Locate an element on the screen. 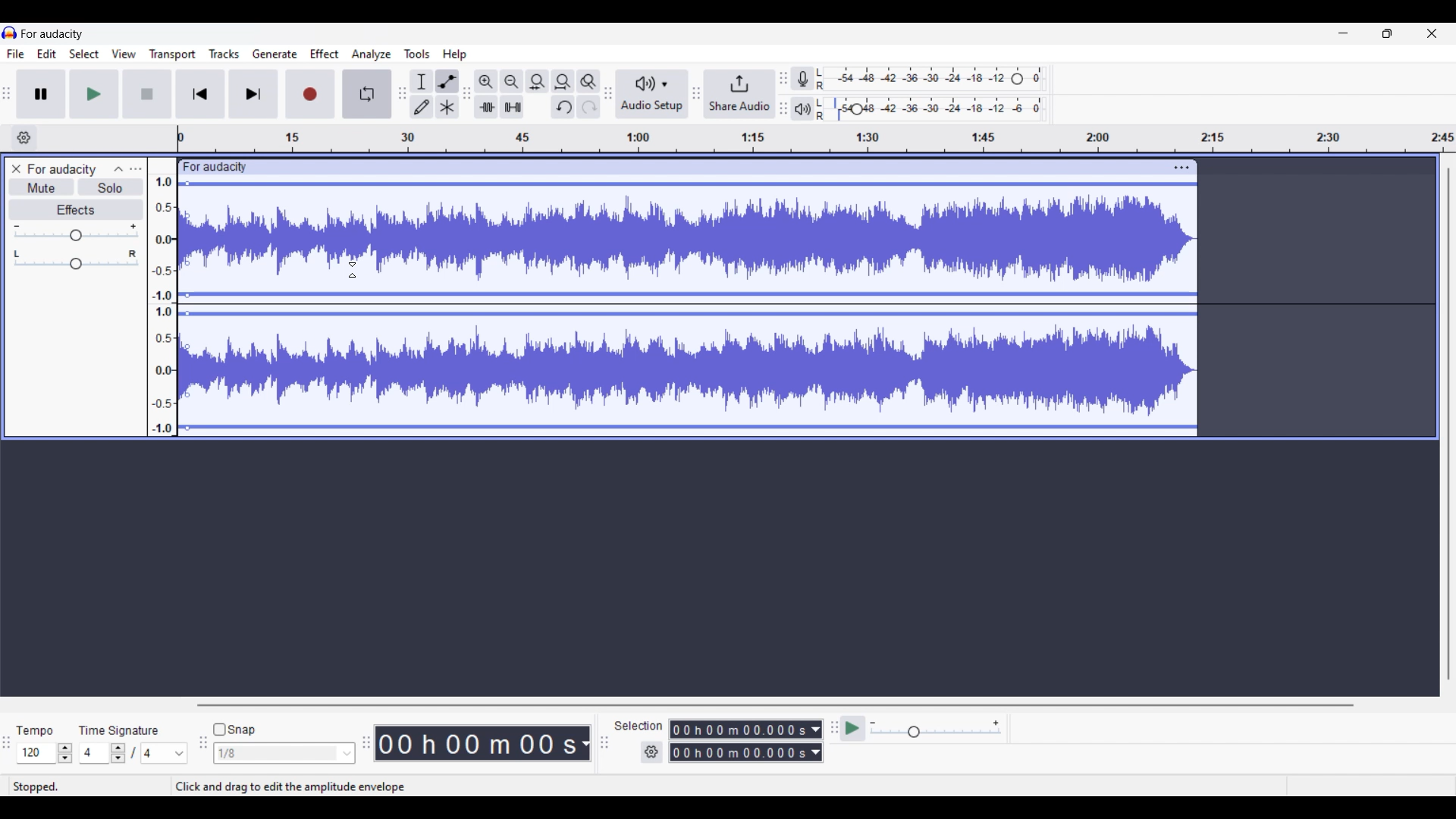 Image resolution: width=1456 pixels, height=819 pixels. Multi tool is located at coordinates (447, 107).